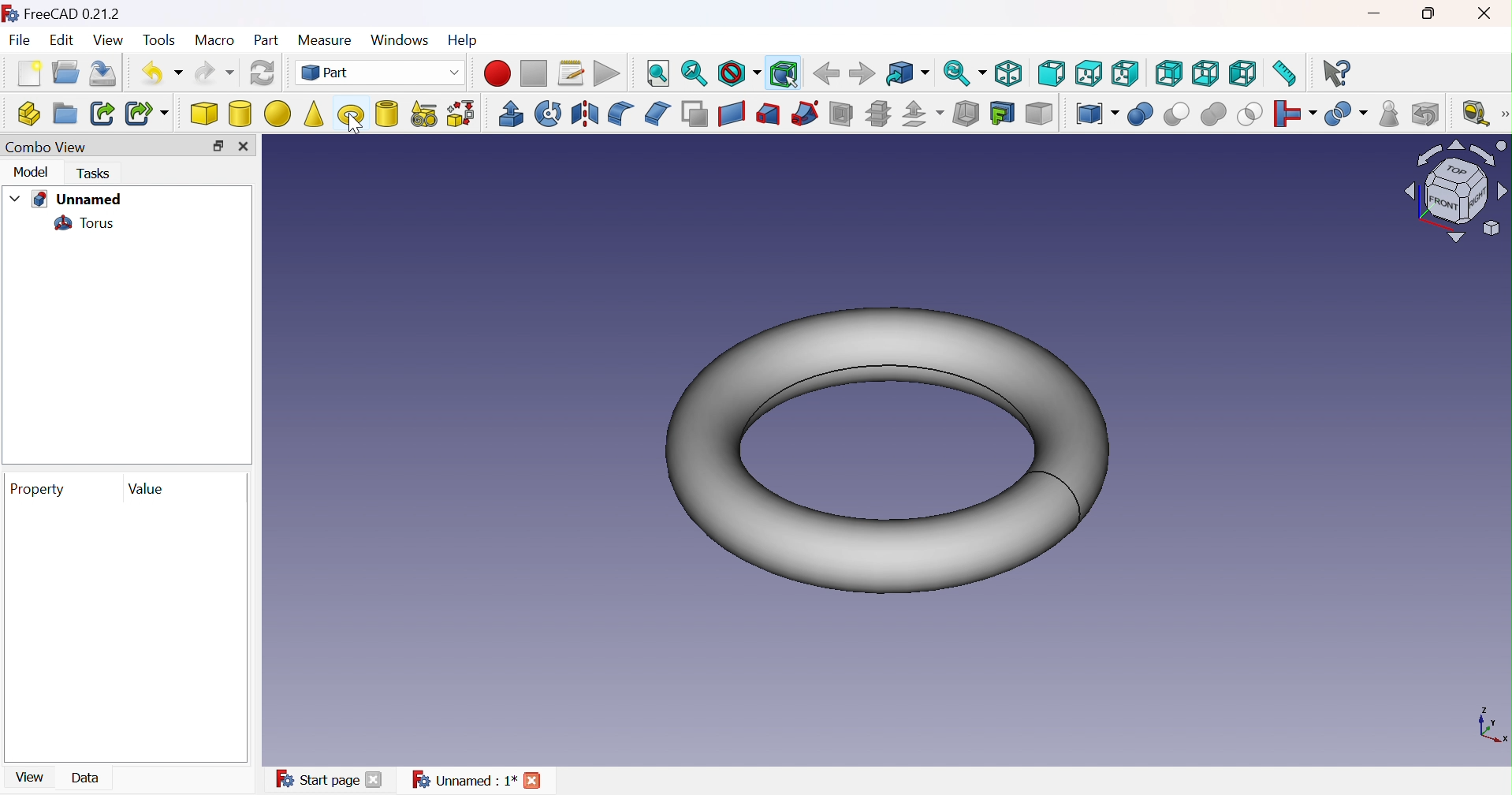 Image resolution: width=1512 pixels, height=795 pixels. Describe the element at coordinates (86, 778) in the screenshot. I see `Data` at that location.